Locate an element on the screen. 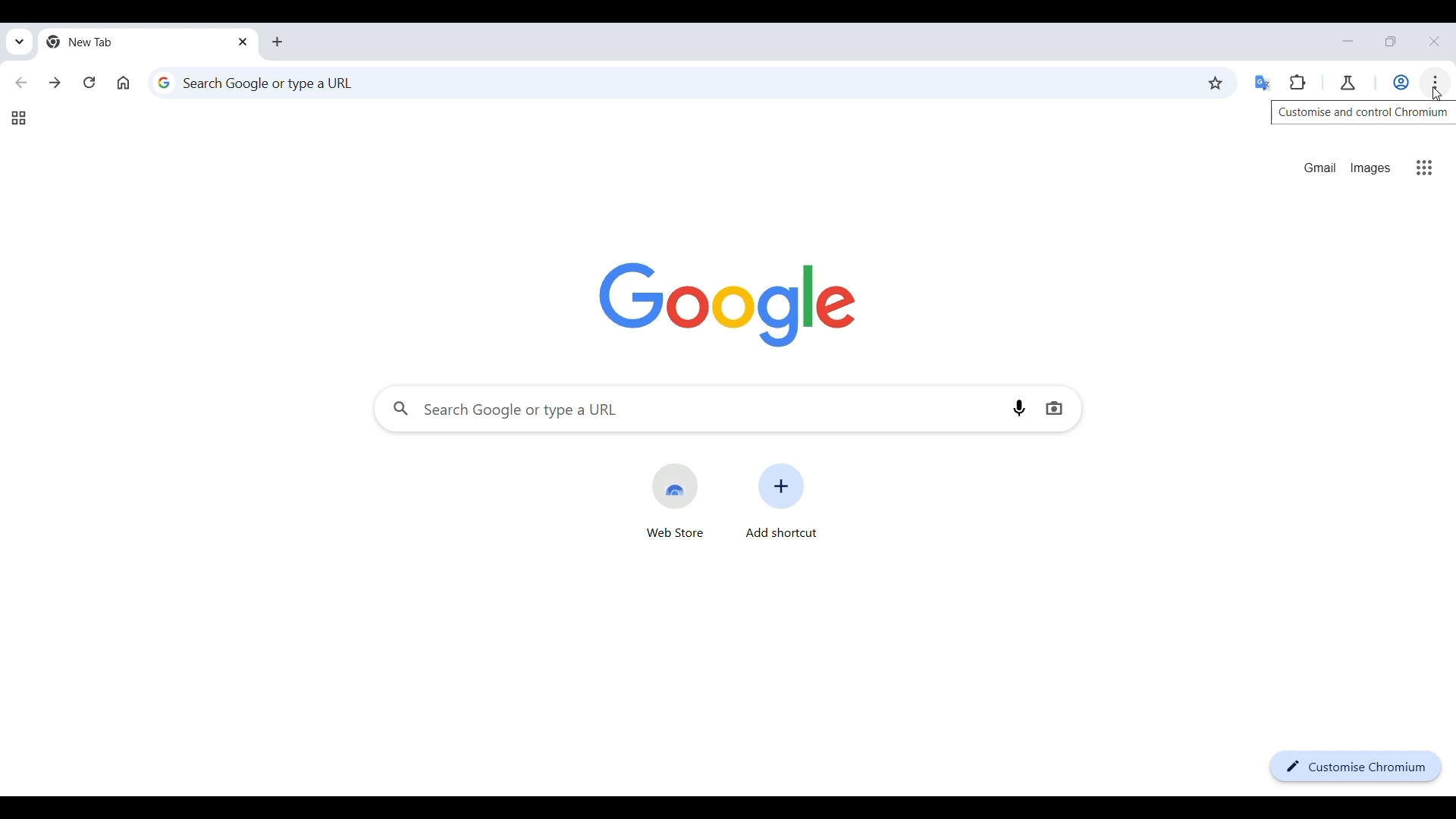 This screenshot has width=1456, height=819. Go to homepage is located at coordinates (124, 83).